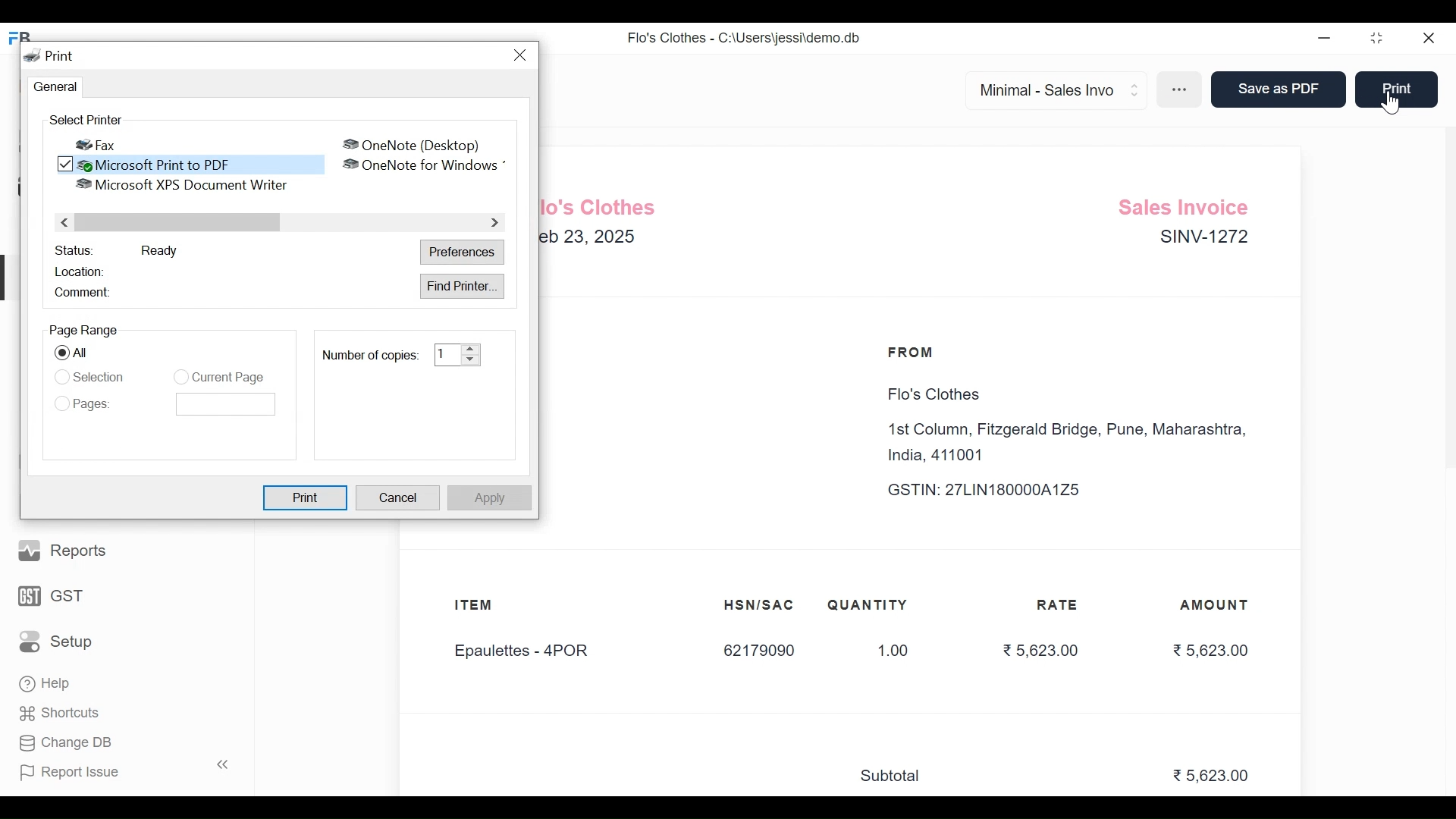  What do you see at coordinates (64, 549) in the screenshot?
I see `Reports` at bounding box center [64, 549].